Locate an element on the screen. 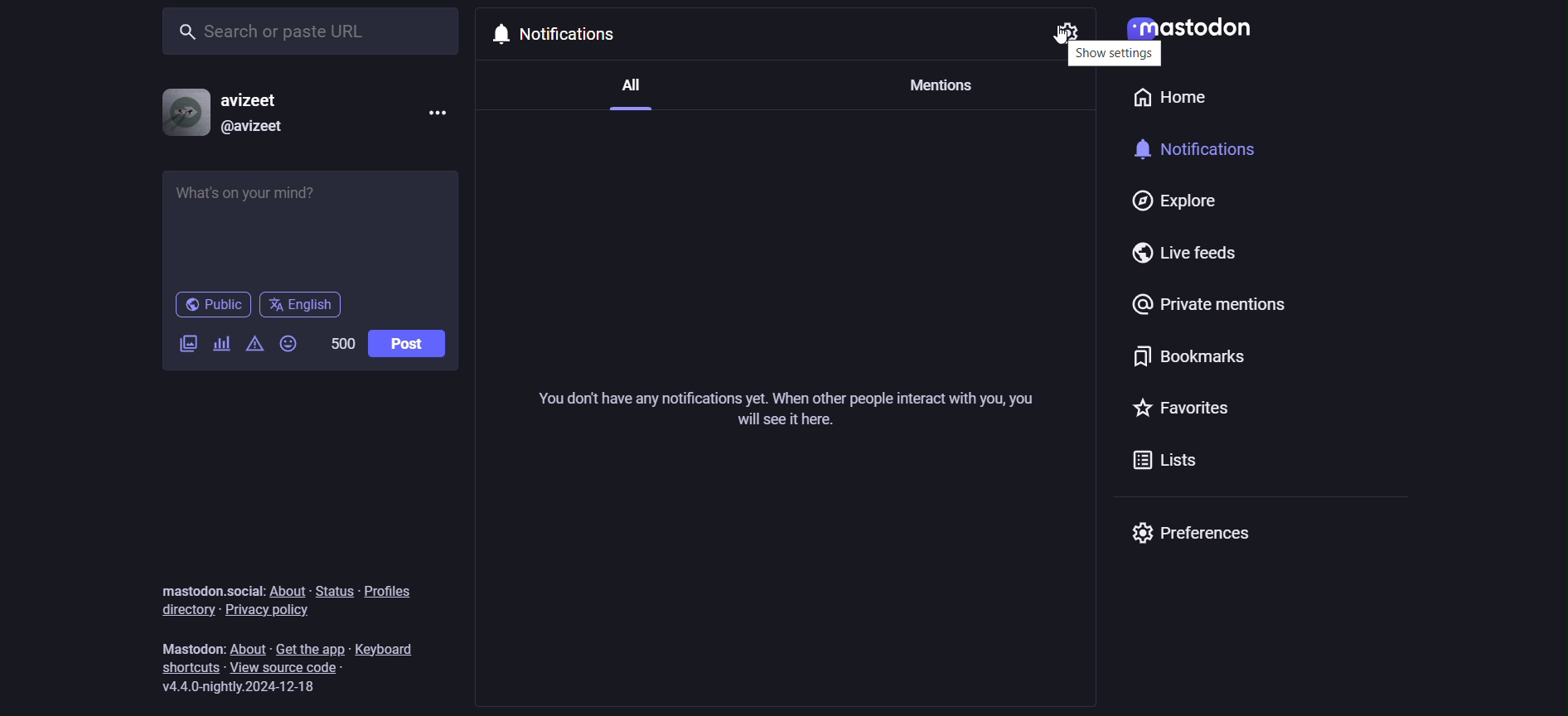 The width and height of the screenshot is (1568, 716). about is located at coordinates (292, 591).